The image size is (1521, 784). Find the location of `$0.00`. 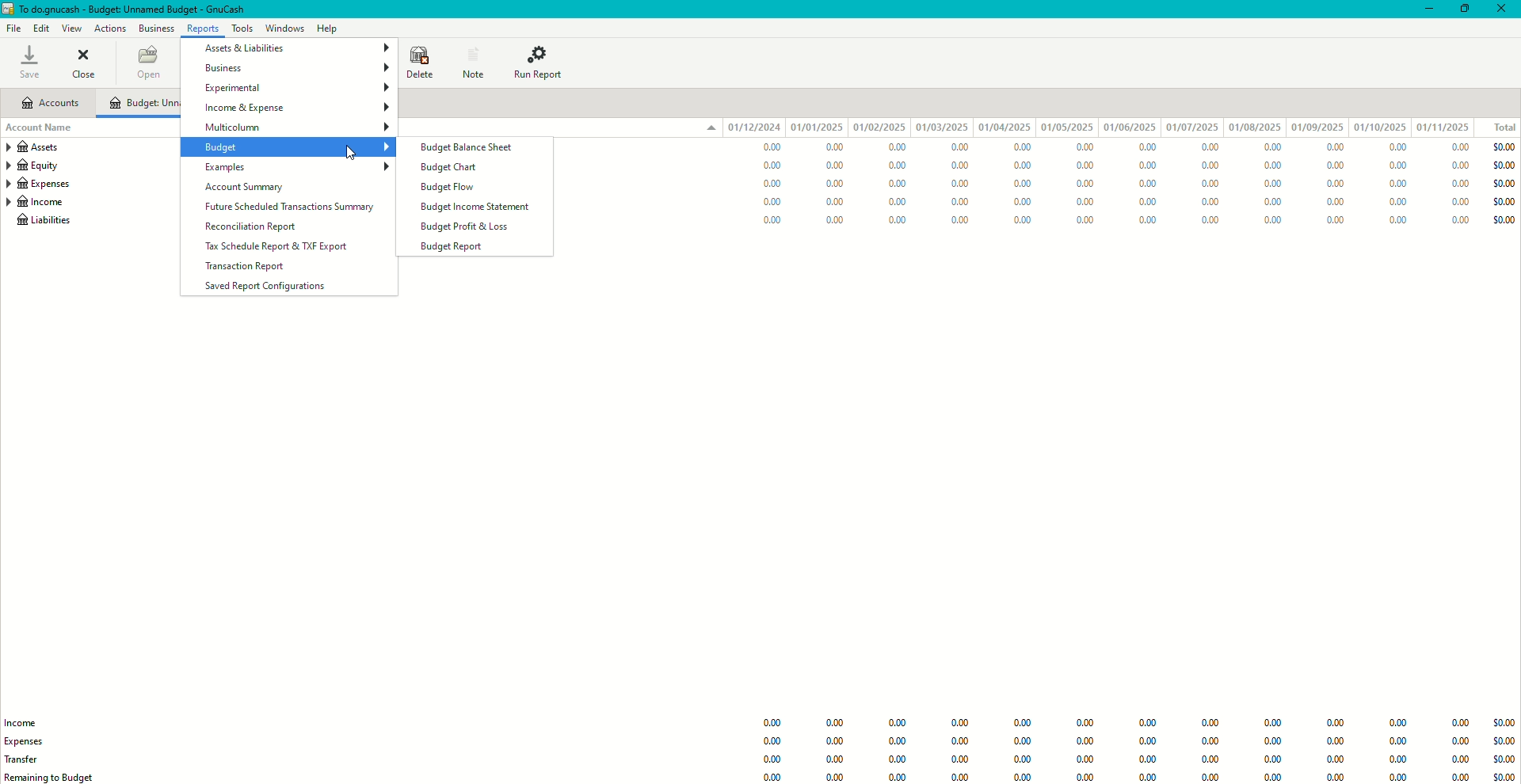

$0.00 is located at coordinates (1504, 147).